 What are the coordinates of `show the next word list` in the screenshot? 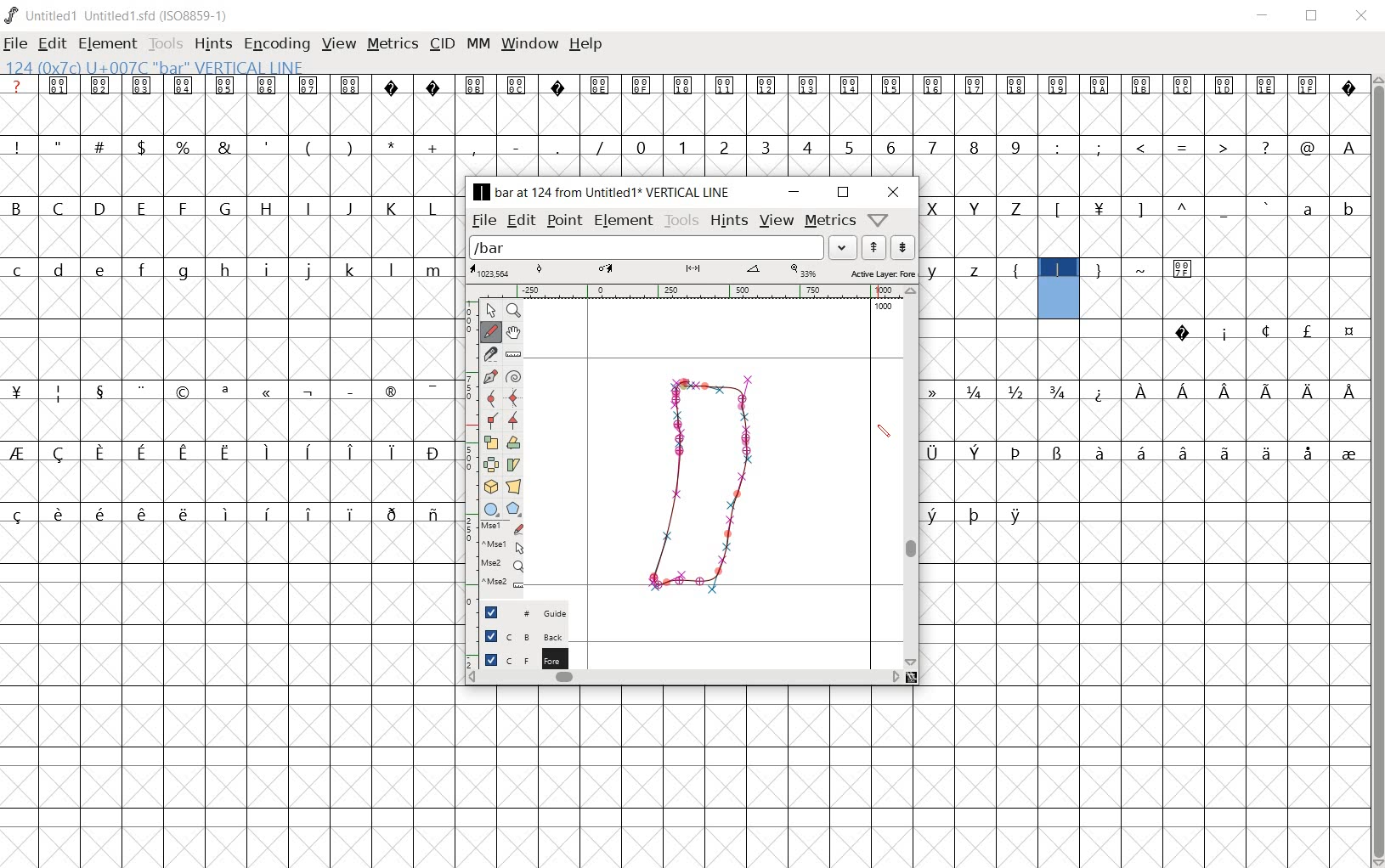 It's located at (901, 248).